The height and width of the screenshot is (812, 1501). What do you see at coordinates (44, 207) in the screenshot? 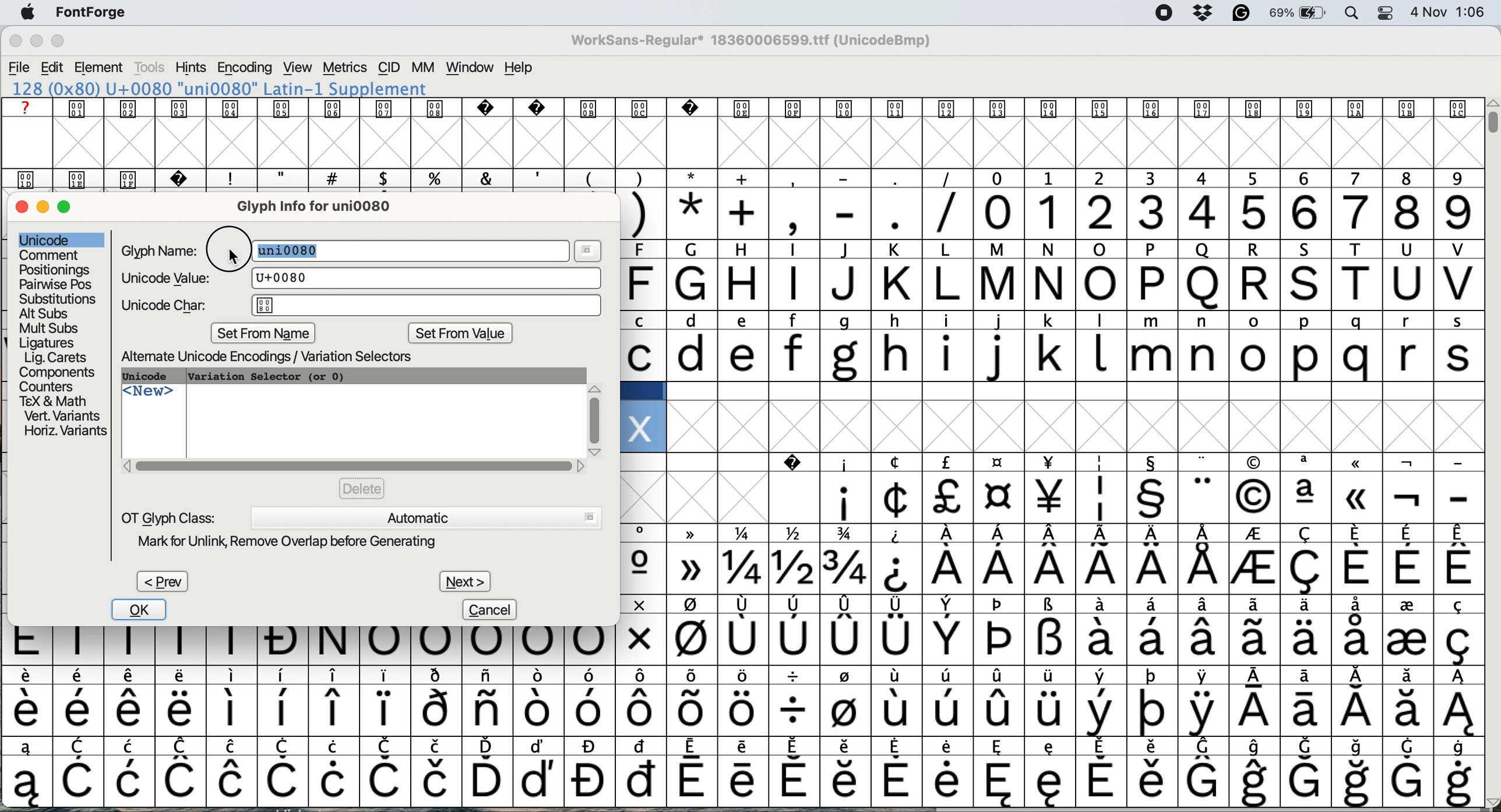
I see `minimise` at bounding box center [44, 207].